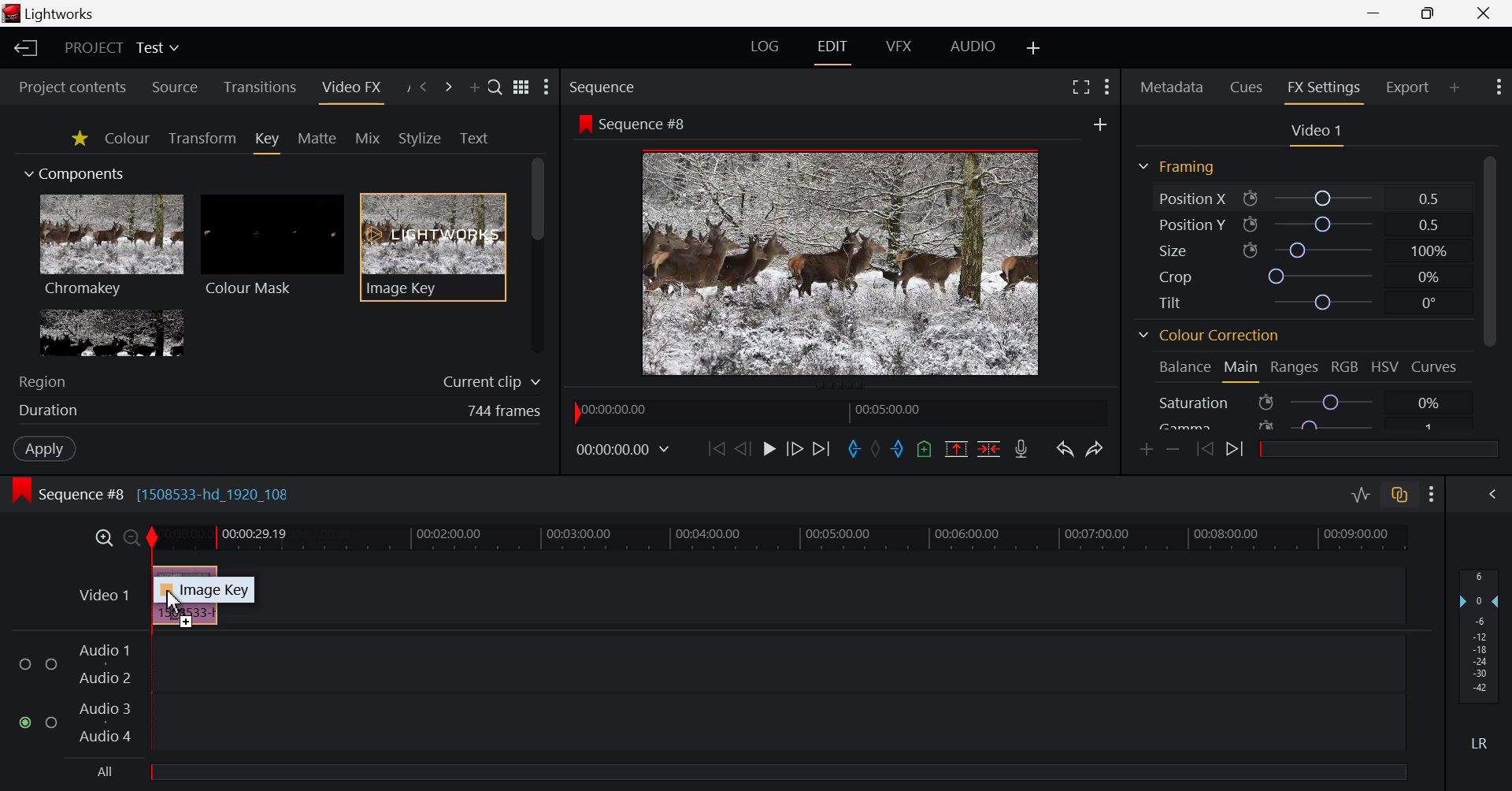  What do you see at coordinates (1319, 134) in the screenshot?
I see `Video Settings` at bounding box center [1319, 134].